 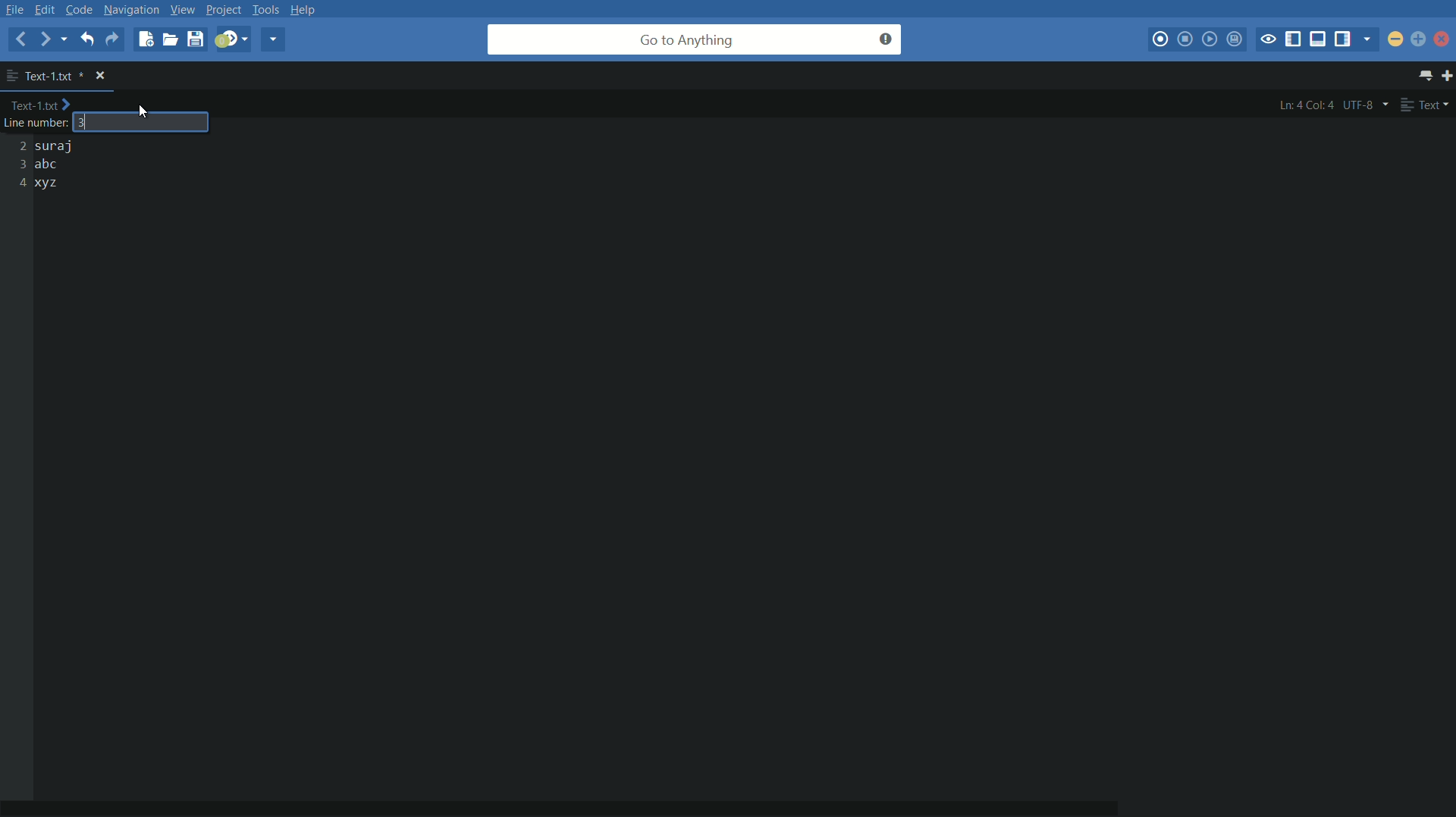 What do you see at coordinates (1366, 105) in the screenshot?
I see `utf-8` at bounding box center [1366, 105].